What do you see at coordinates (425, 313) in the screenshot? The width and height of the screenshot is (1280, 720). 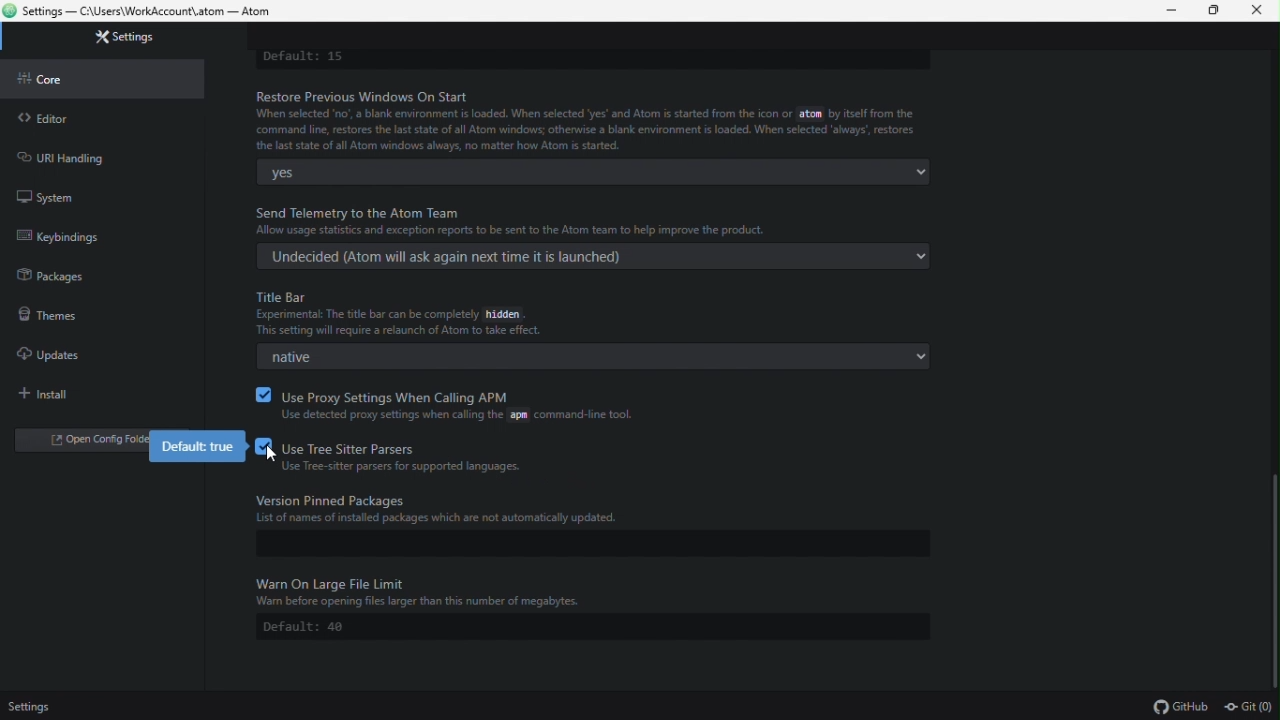 I see `Title Bar` at bounding box center [425, 313].